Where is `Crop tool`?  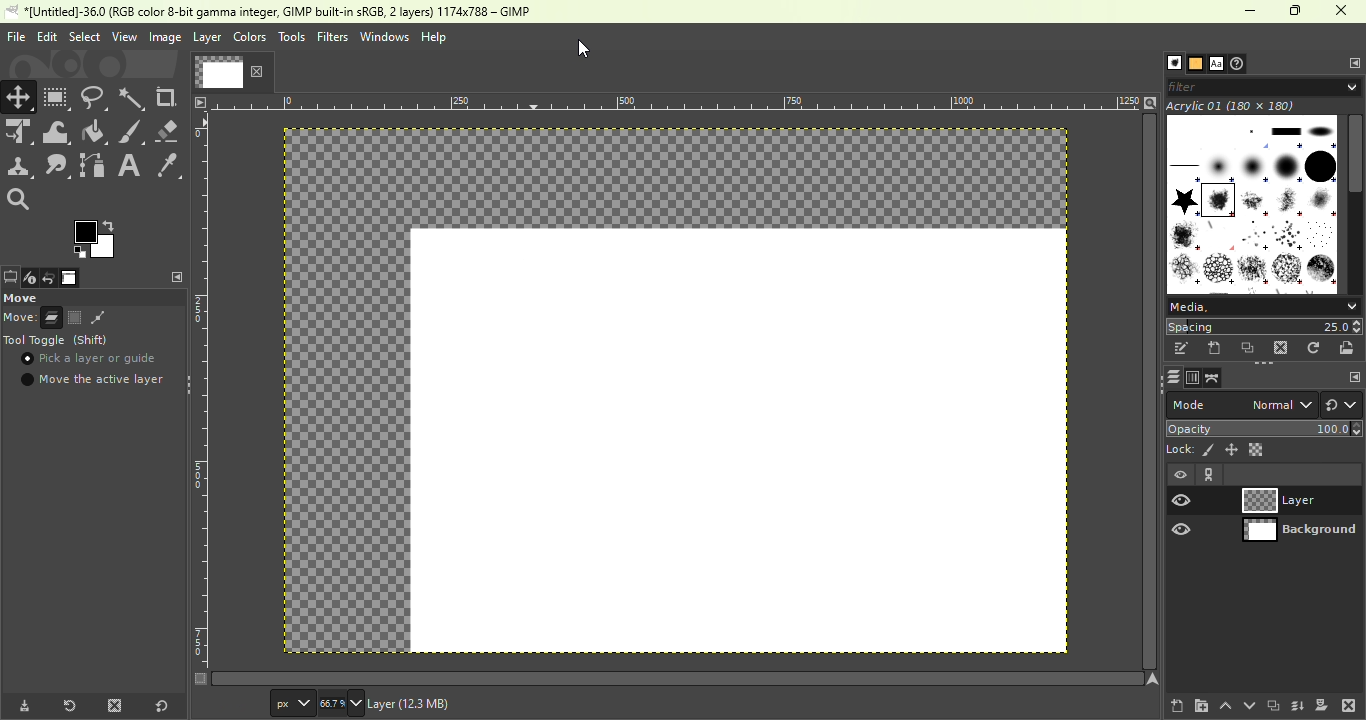 Crop tool is located at coordinates (169, 98).